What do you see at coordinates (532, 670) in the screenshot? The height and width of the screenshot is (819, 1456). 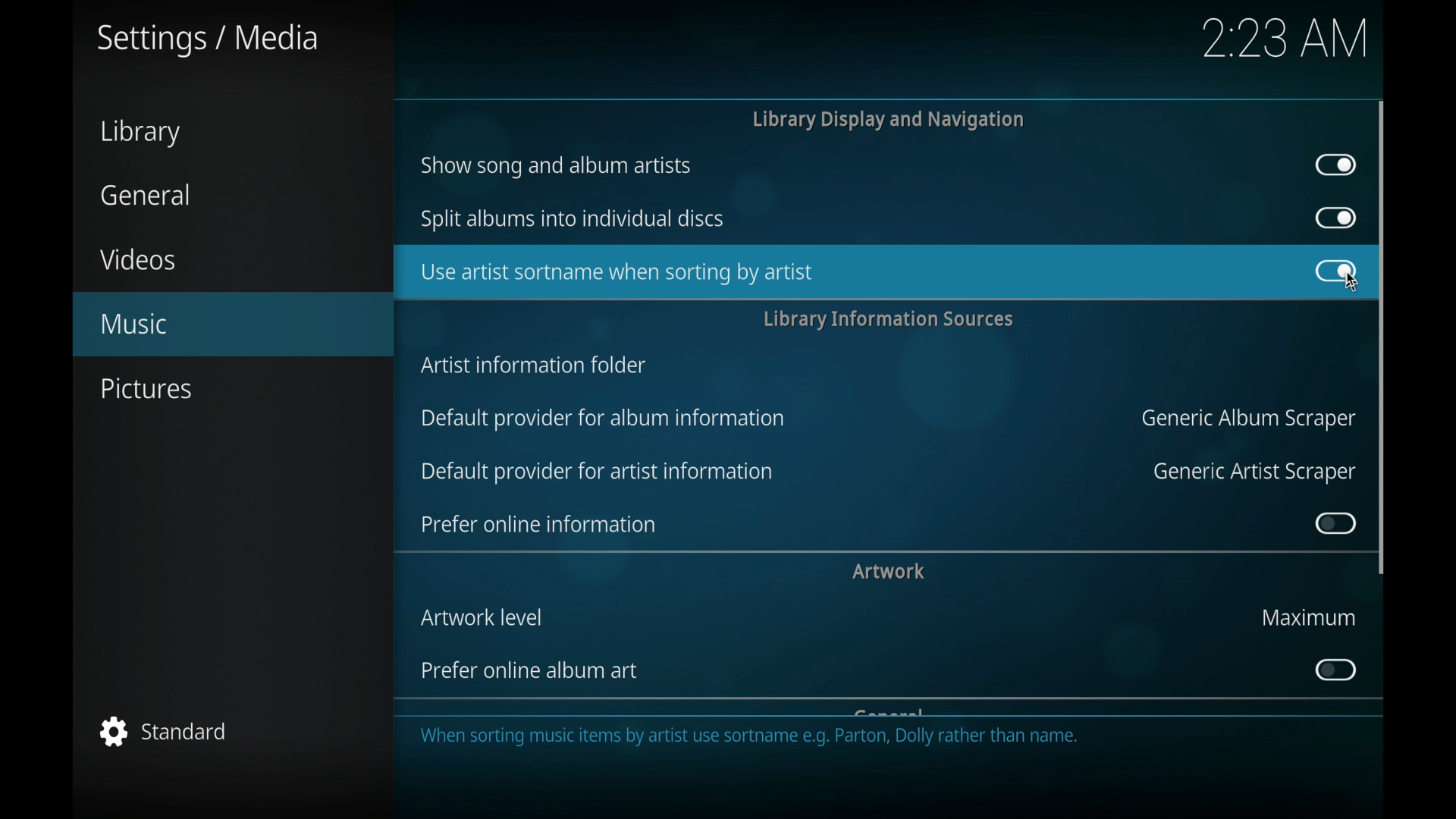 I see `prefer online album art` at bounding box center [532, 670].